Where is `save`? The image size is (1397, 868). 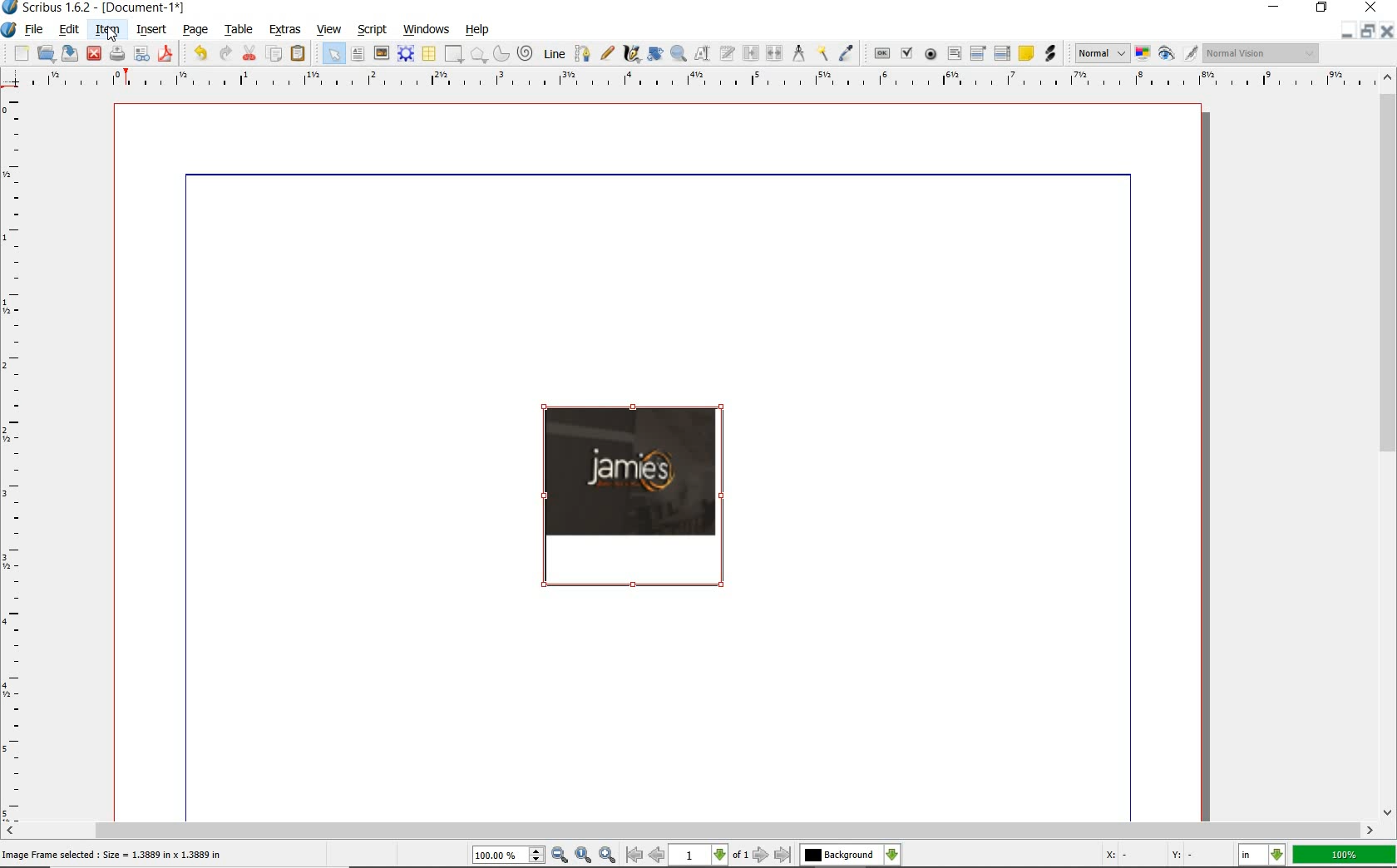
save is located at coordinates (72, 52).